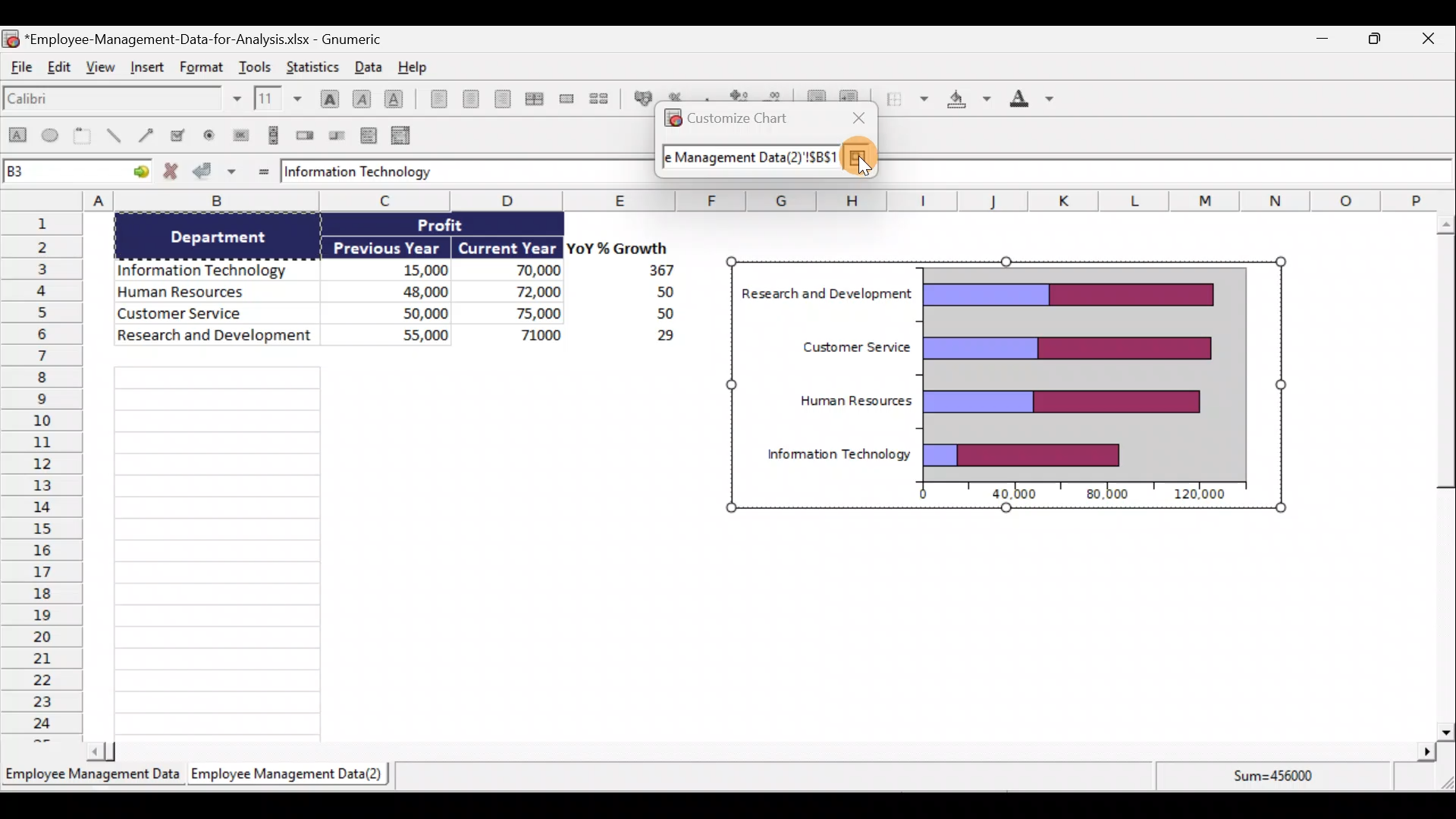 The height and width of the screenshot is (819, 1456). Describe the element at coordinates (678, 96) in the screenshot. I see `Format the selection as percentage` at that location.